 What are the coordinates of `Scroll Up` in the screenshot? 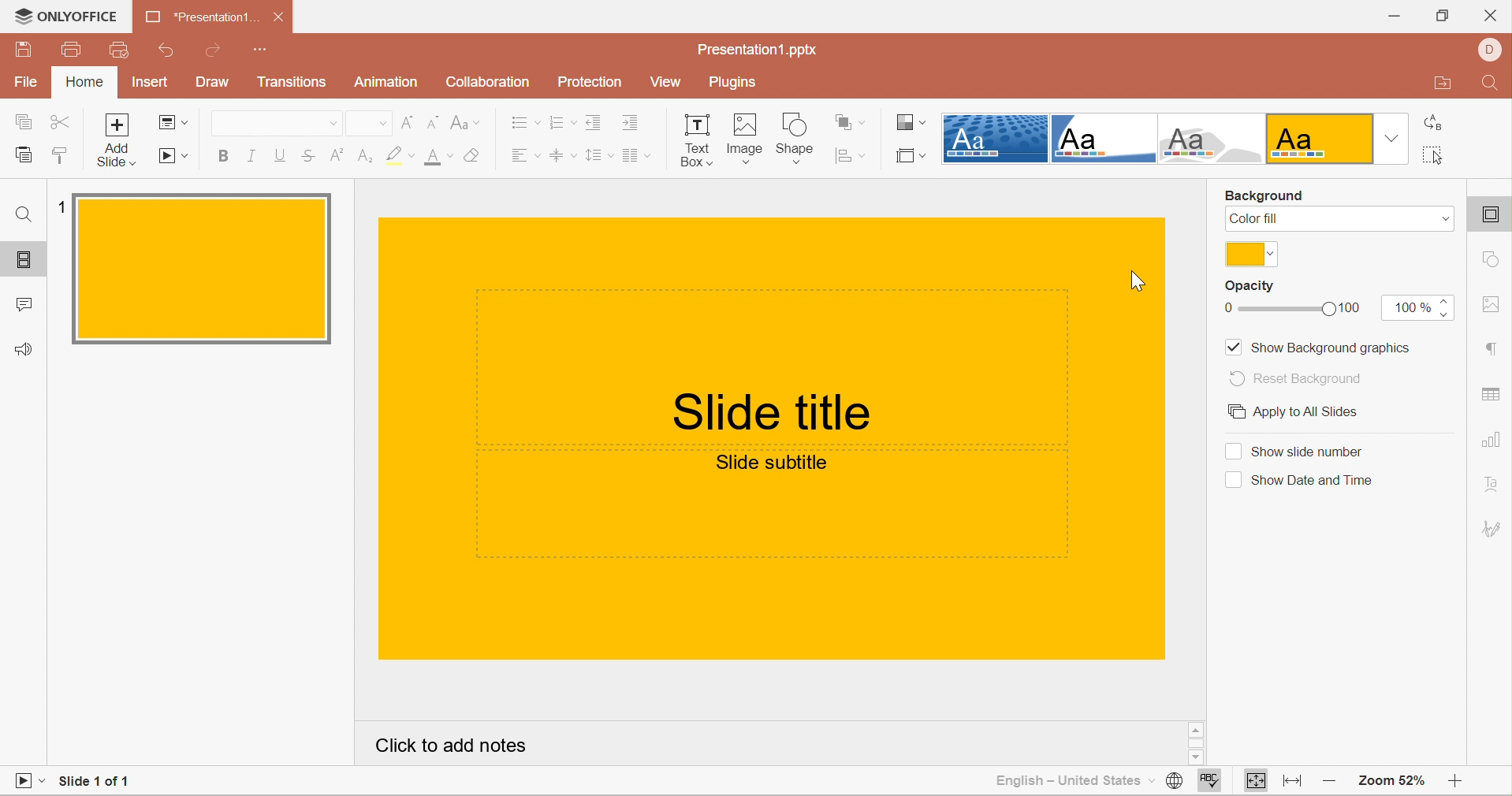 It's located at (1458, 728).